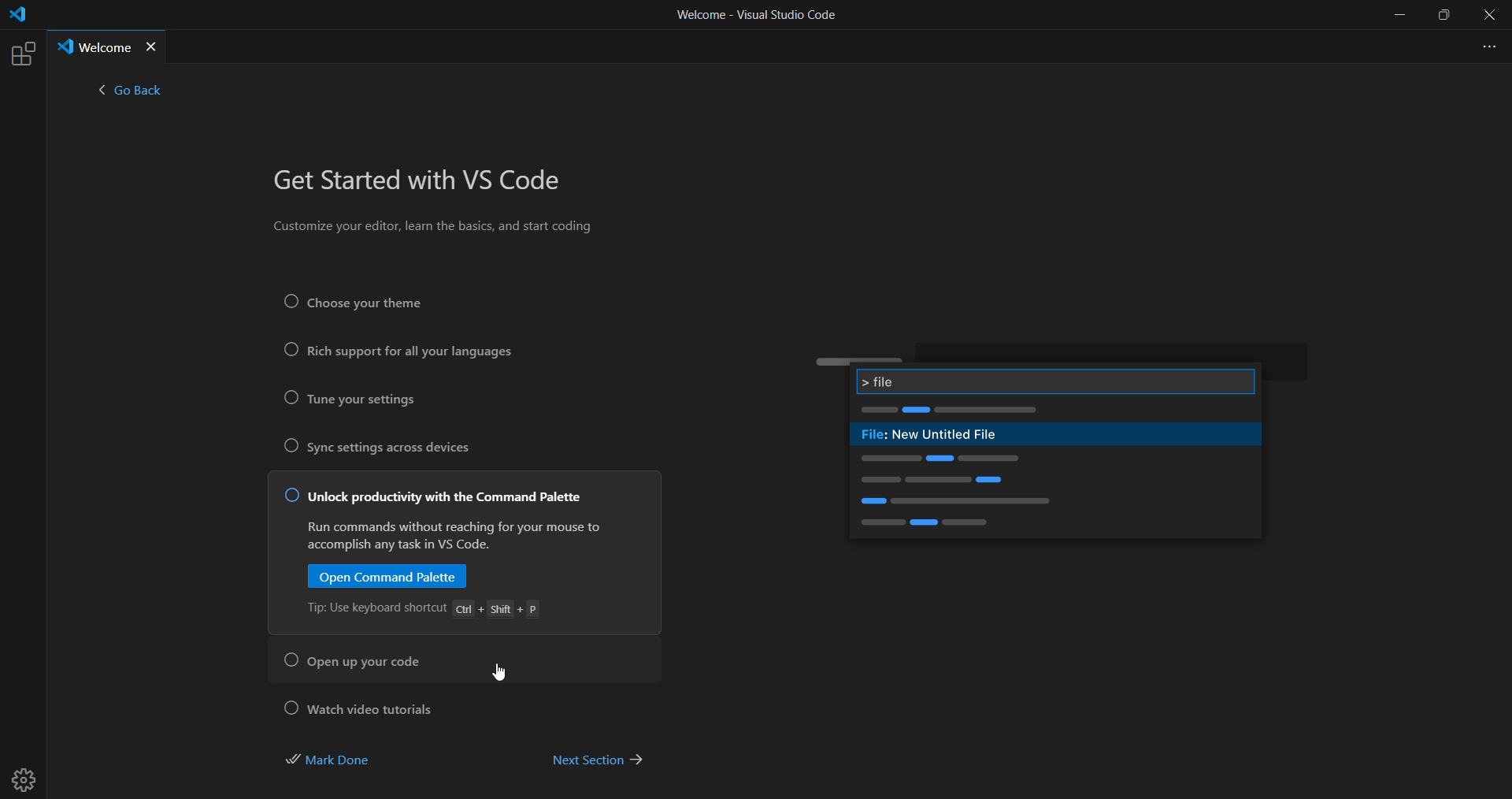 Image resolution: width=1512 pixels, height=799 pixels. Describe the element at coordinates (397, 353) in the screenshot. I see `rich support for all your languages` at that location.